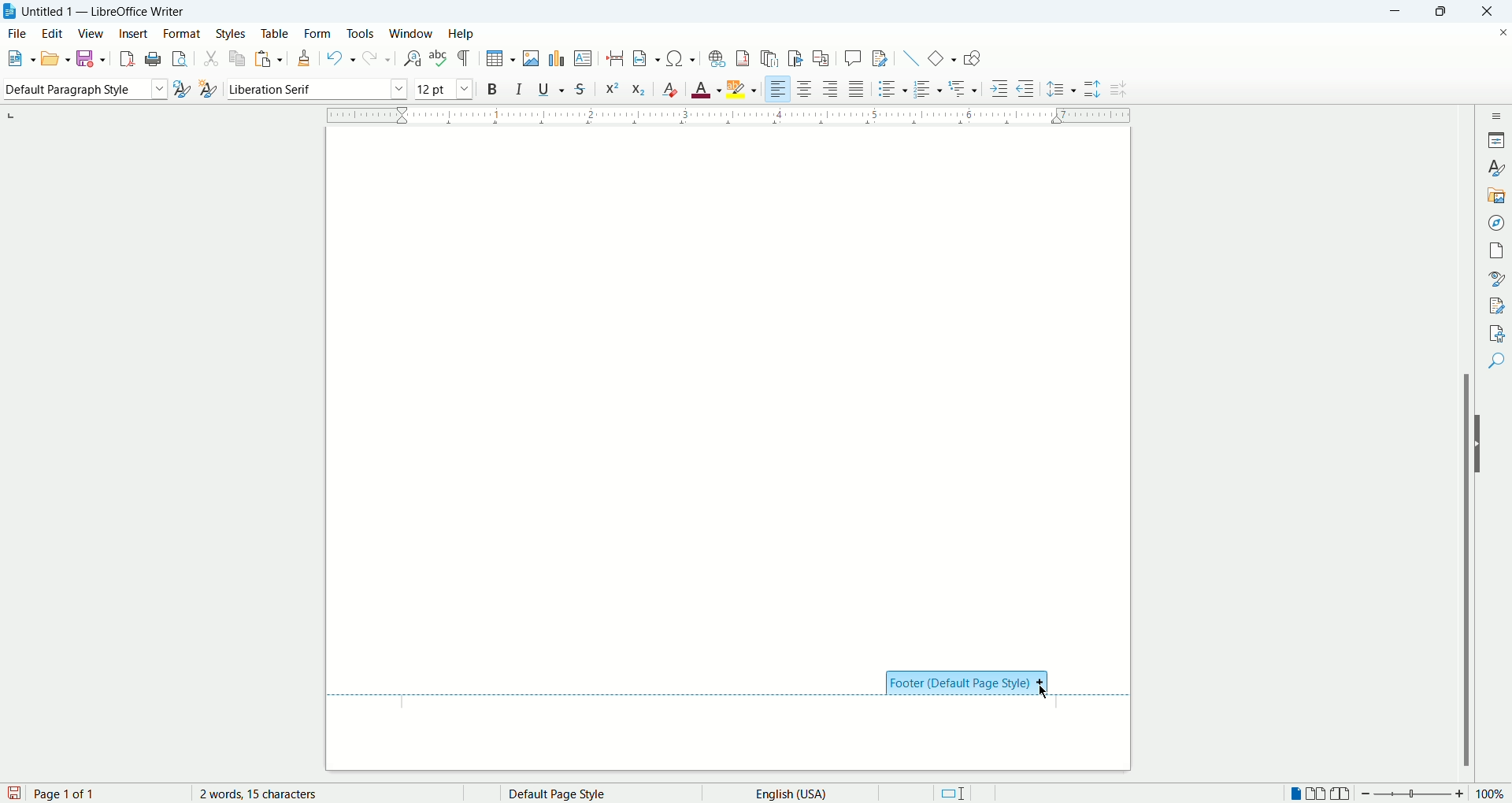  Describe the element at coordinates (501, 59) in the screenshot. I see `insert table` at that location.